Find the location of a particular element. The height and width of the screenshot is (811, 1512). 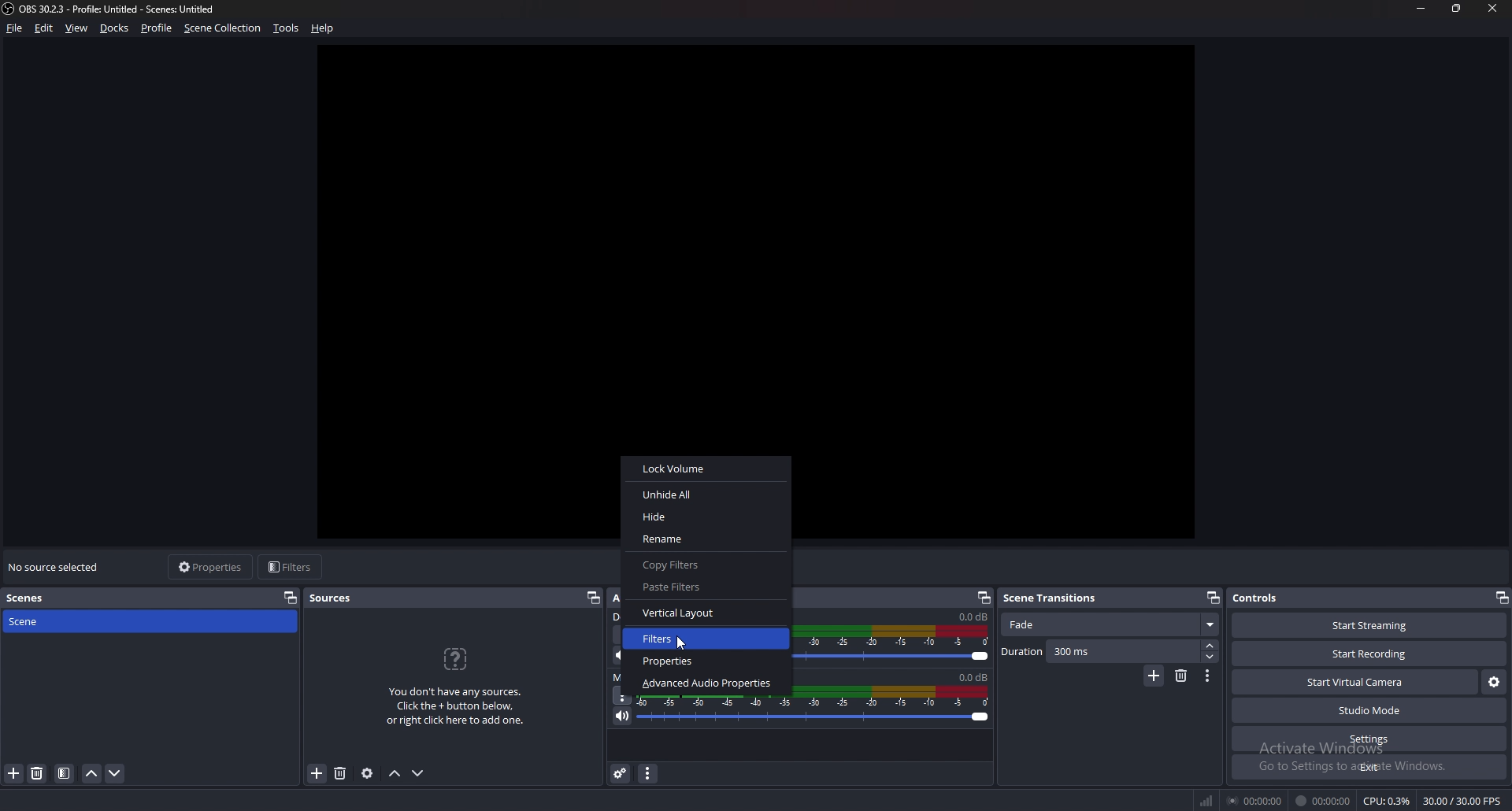

help is located at coordinates (325, 28).